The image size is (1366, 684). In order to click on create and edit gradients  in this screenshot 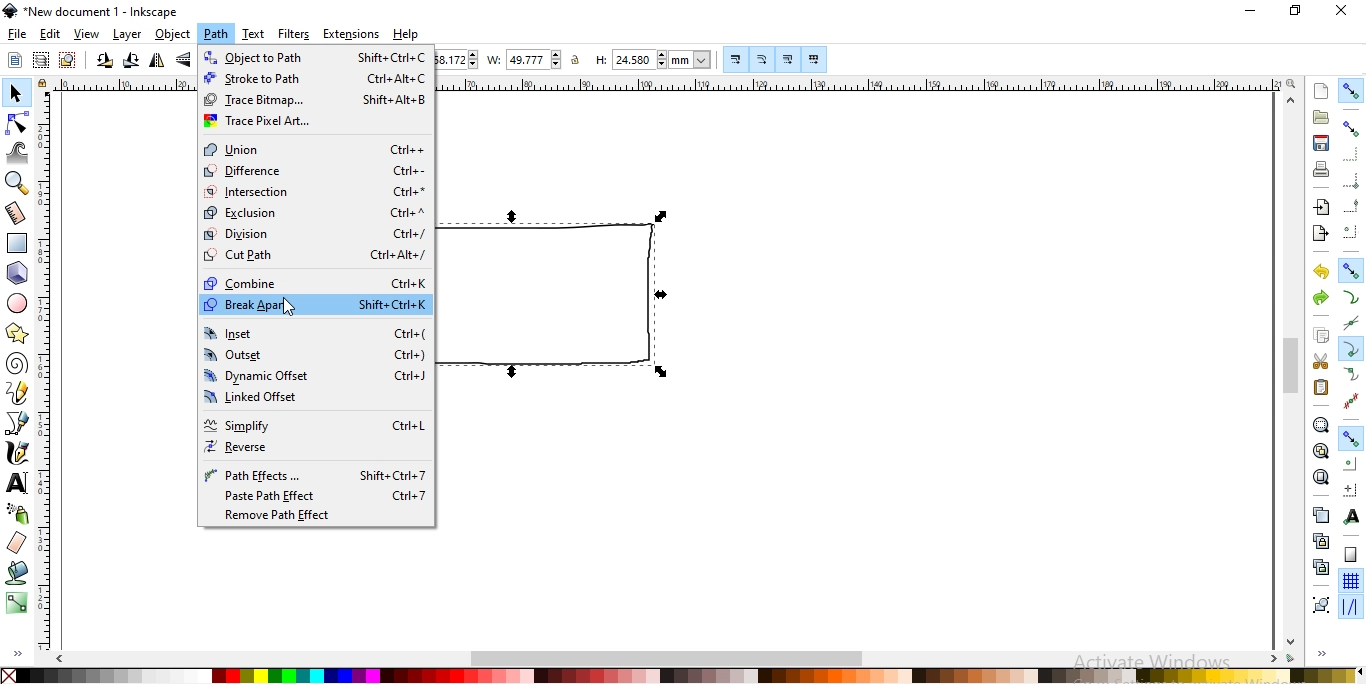, I will do `click(18, 601)`.